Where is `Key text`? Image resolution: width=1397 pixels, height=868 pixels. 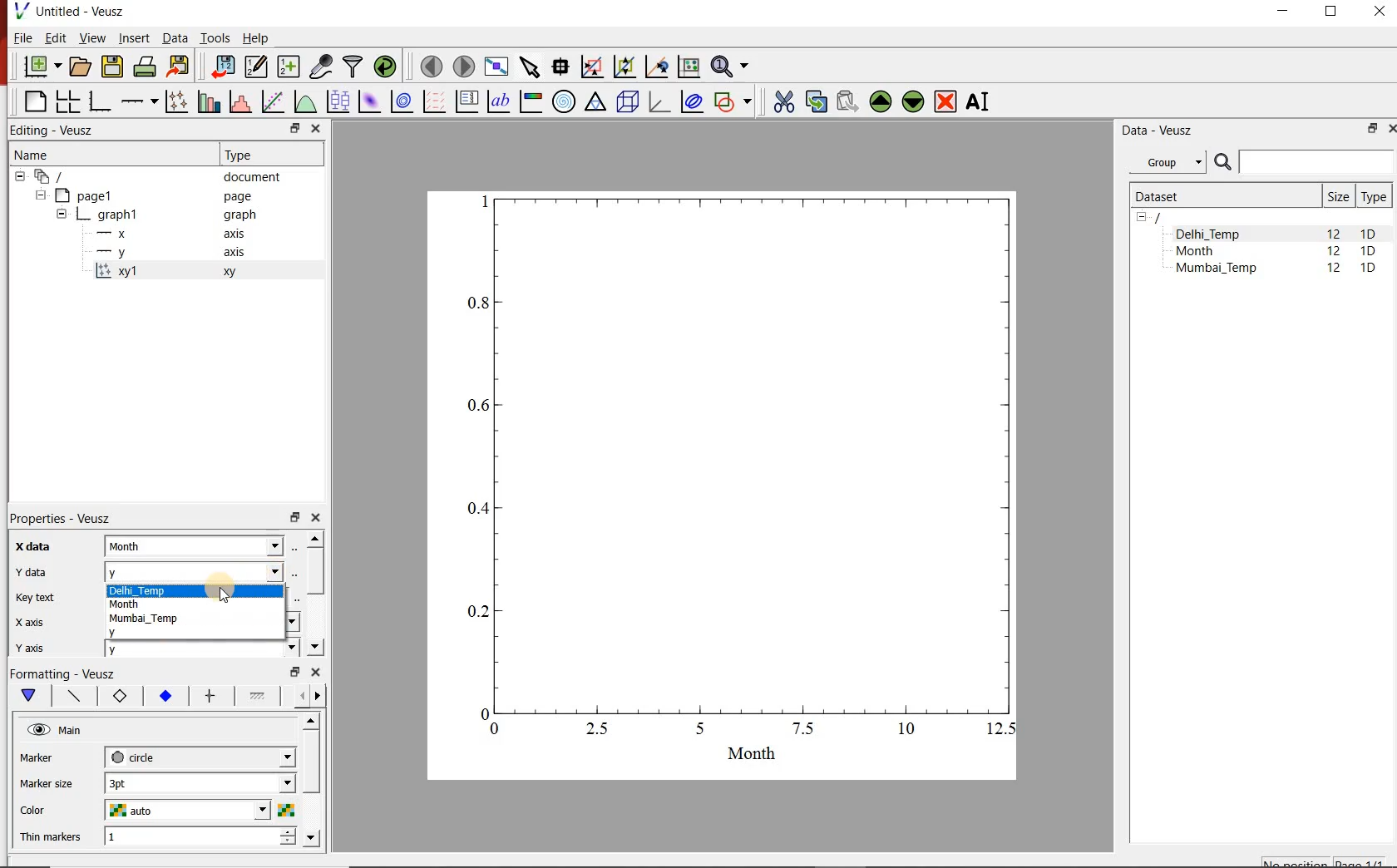 Key text is located at coordinates (34, 599).